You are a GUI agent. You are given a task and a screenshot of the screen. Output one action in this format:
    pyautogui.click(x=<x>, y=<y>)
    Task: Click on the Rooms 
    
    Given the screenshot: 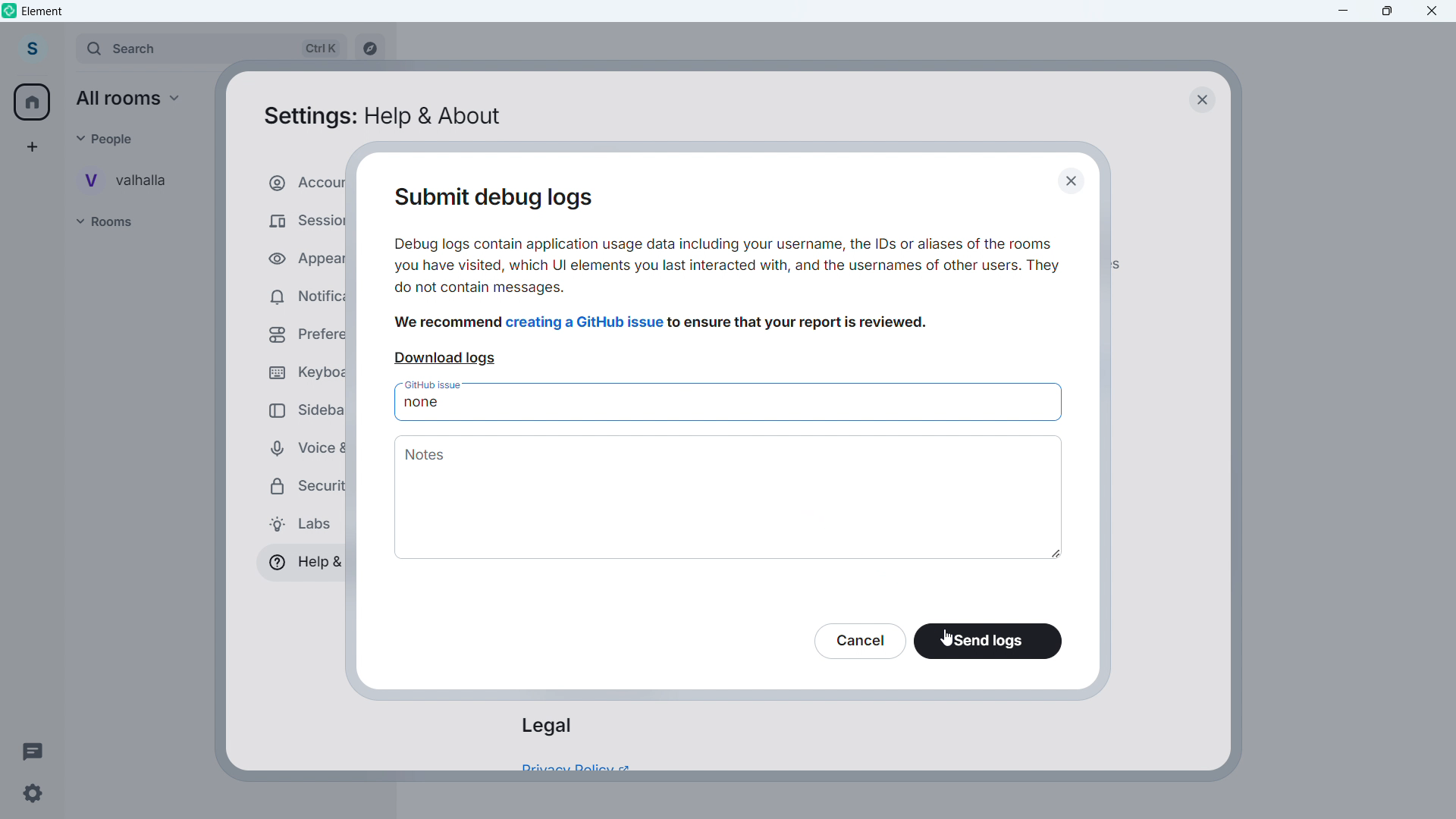 What is the action you would take?
    pyautogui.click(x=118, y=222)
    